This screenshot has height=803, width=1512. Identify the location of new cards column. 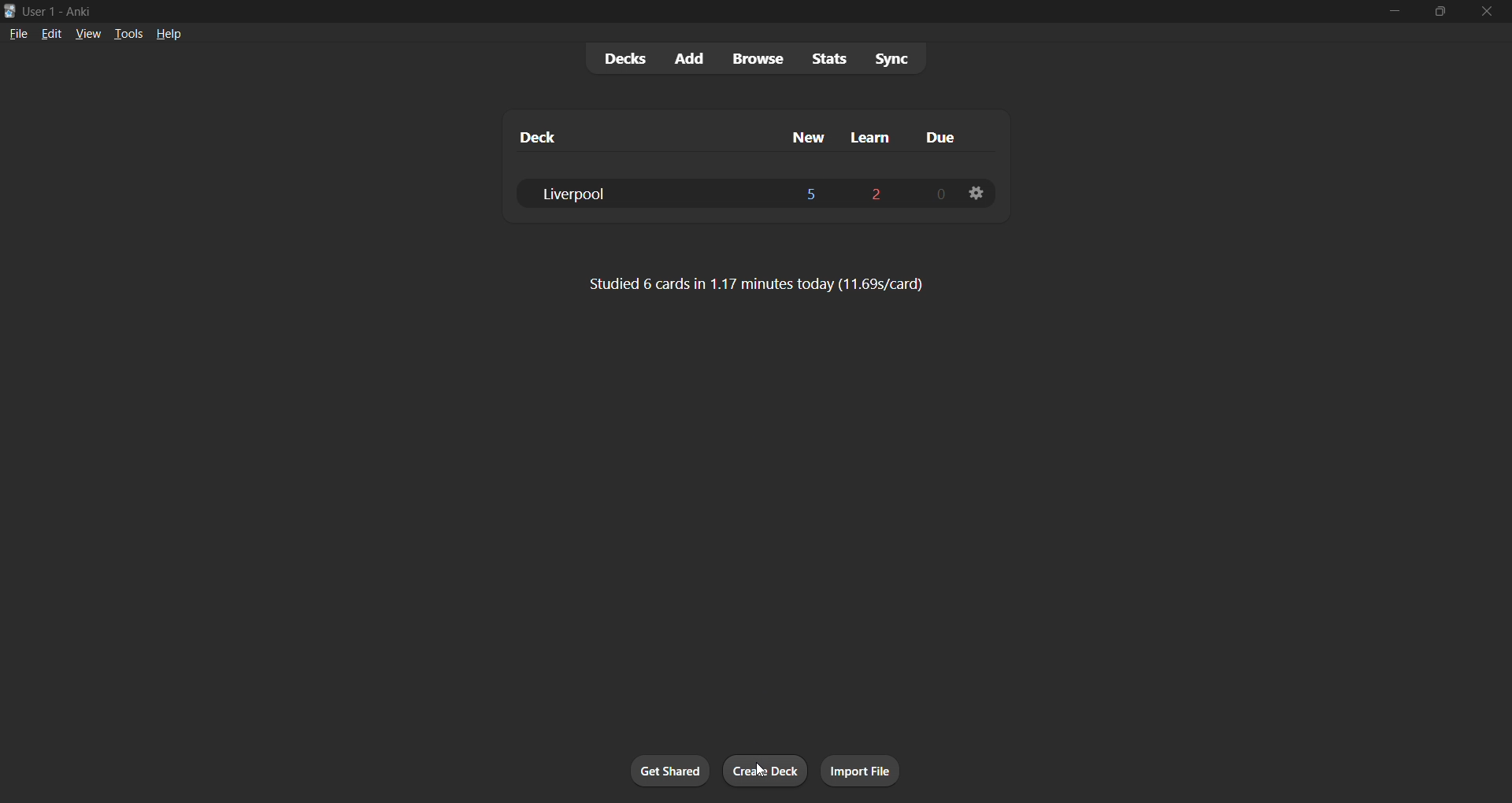
(807, 139).